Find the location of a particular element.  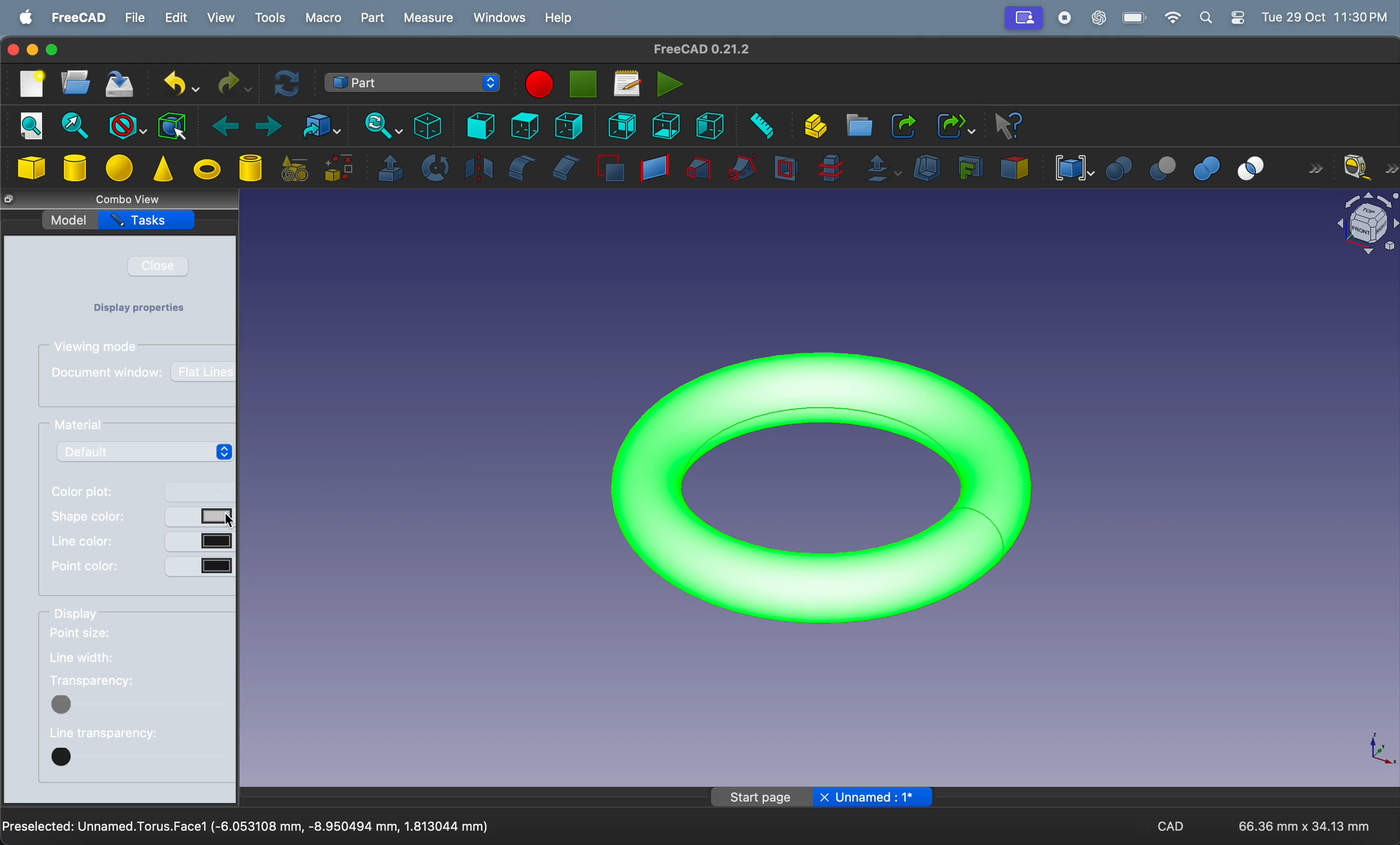

isometric view is located at coordinates (429, 125).